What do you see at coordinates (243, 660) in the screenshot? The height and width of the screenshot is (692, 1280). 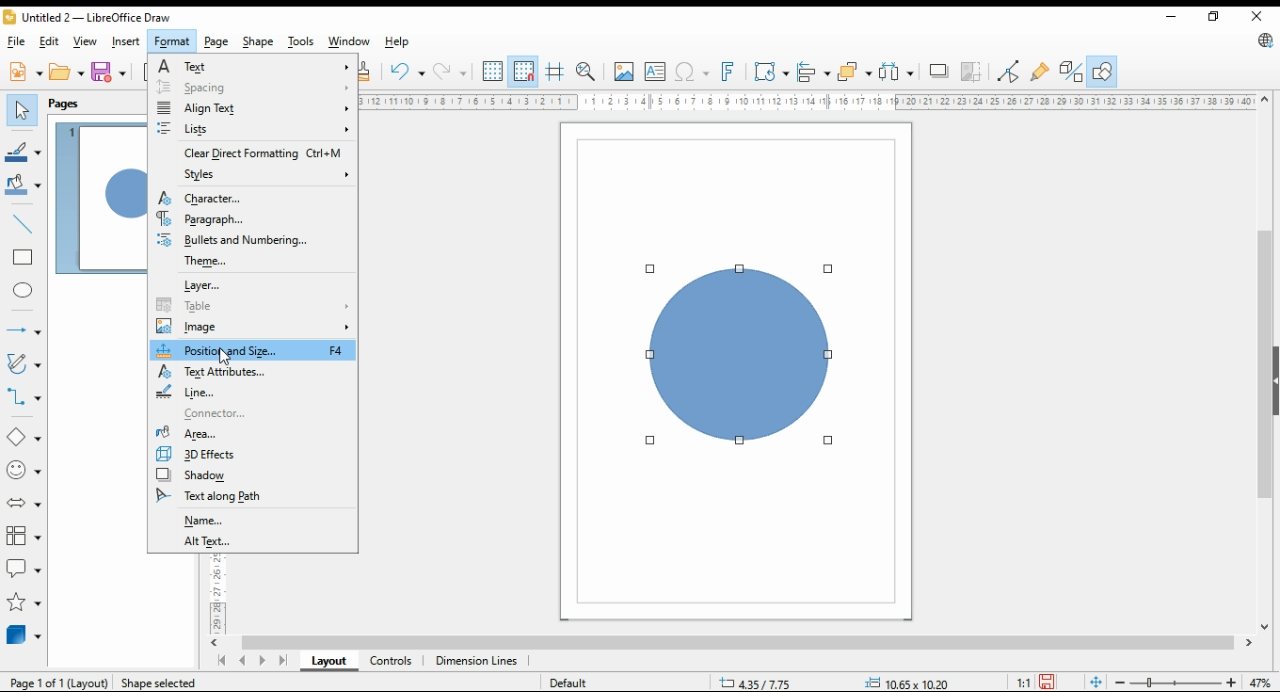 I see `previous page` at bounding box center [243, 660].